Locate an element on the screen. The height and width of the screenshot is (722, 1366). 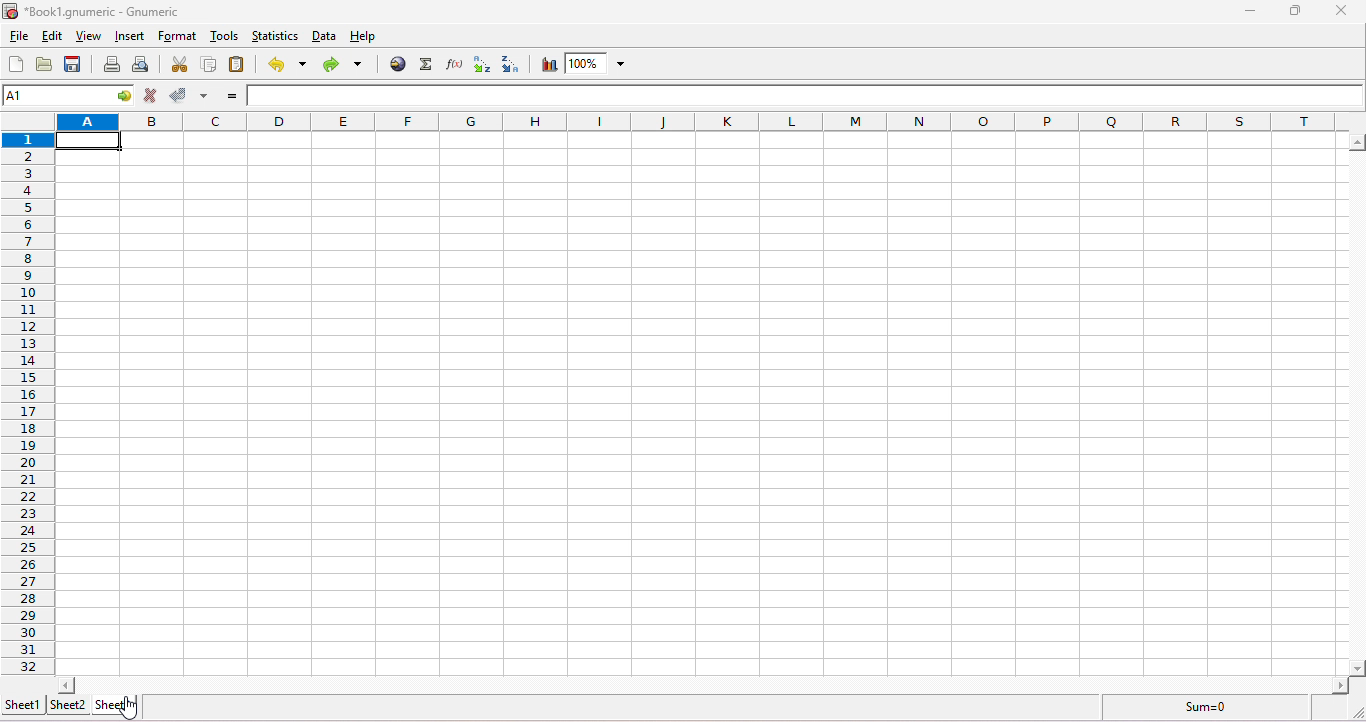
hyperlink is located at coordinates (395, 65).